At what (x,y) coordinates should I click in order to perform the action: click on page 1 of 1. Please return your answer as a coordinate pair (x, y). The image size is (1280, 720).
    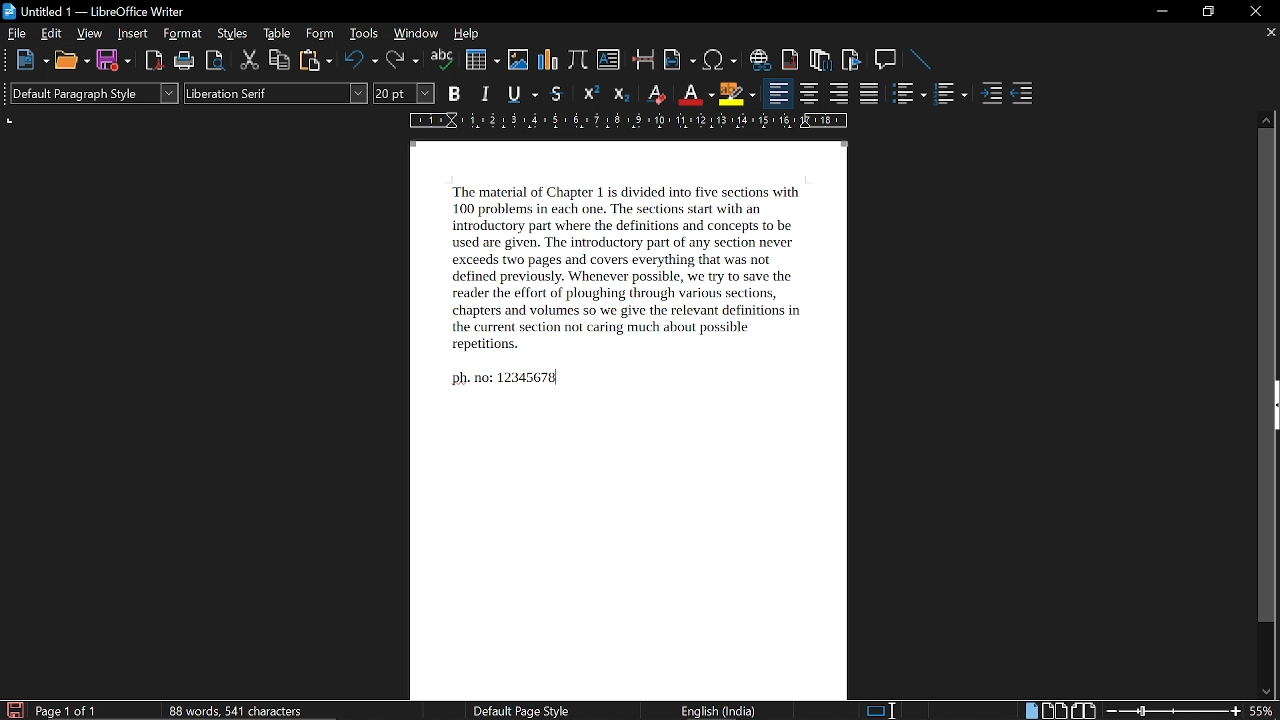
    Looking at the image, I should click on (67, 712).